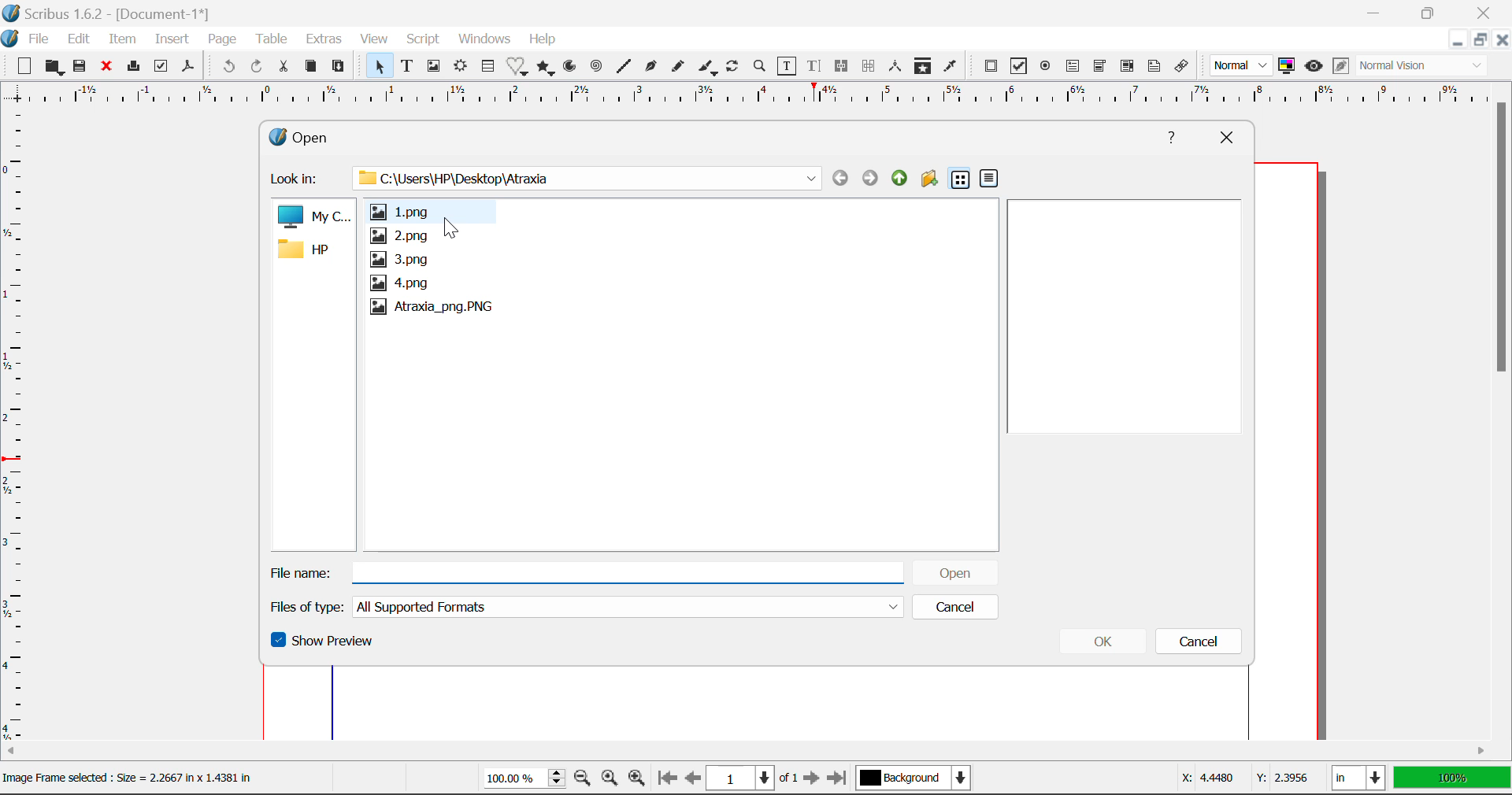  Describe the element at coordinates (170, 39) in the screenshot. I see `Insert` at that location.